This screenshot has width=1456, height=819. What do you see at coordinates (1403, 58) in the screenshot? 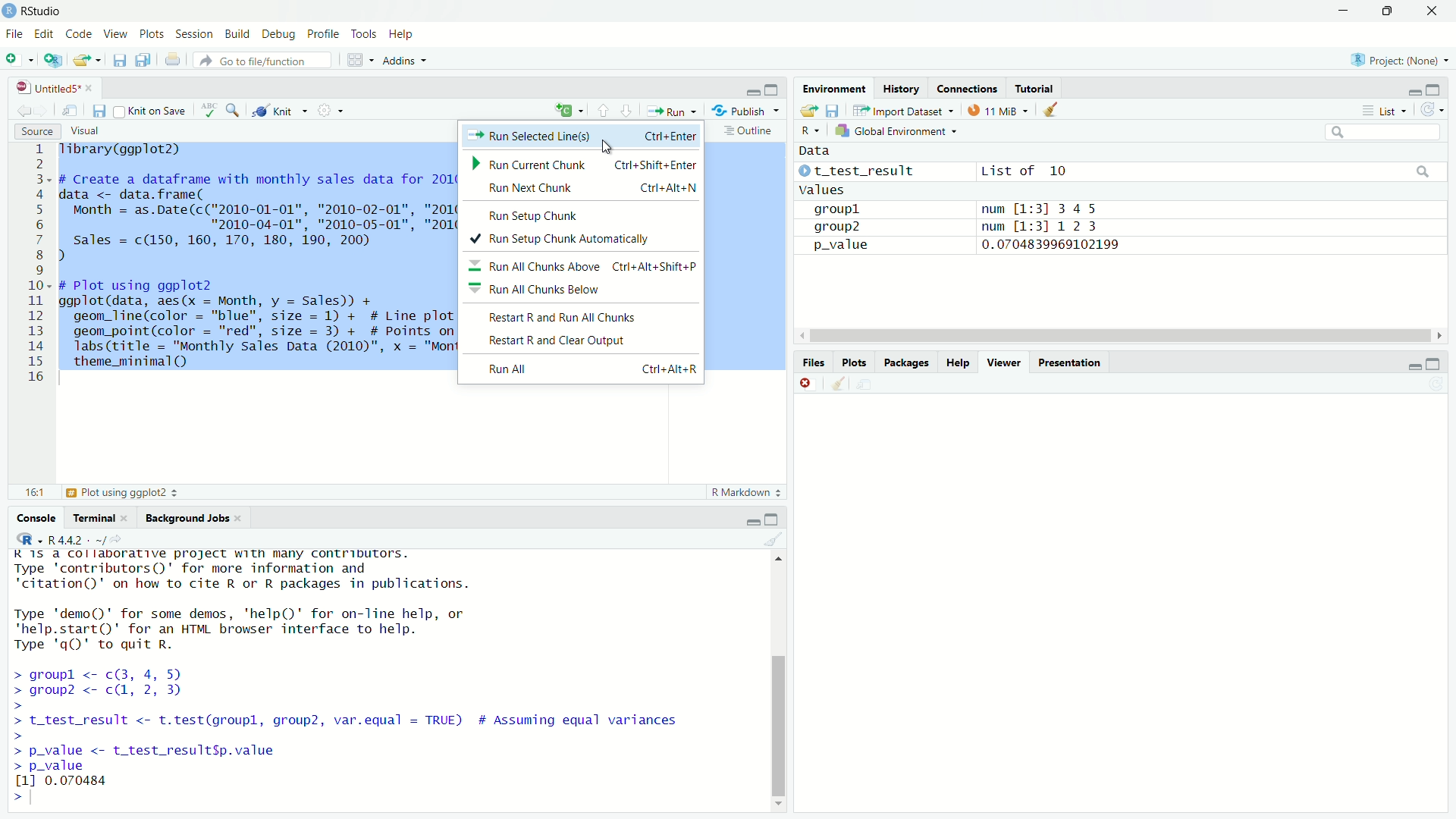
I see `Project: (None) ` at bounding box center [1403, 58].